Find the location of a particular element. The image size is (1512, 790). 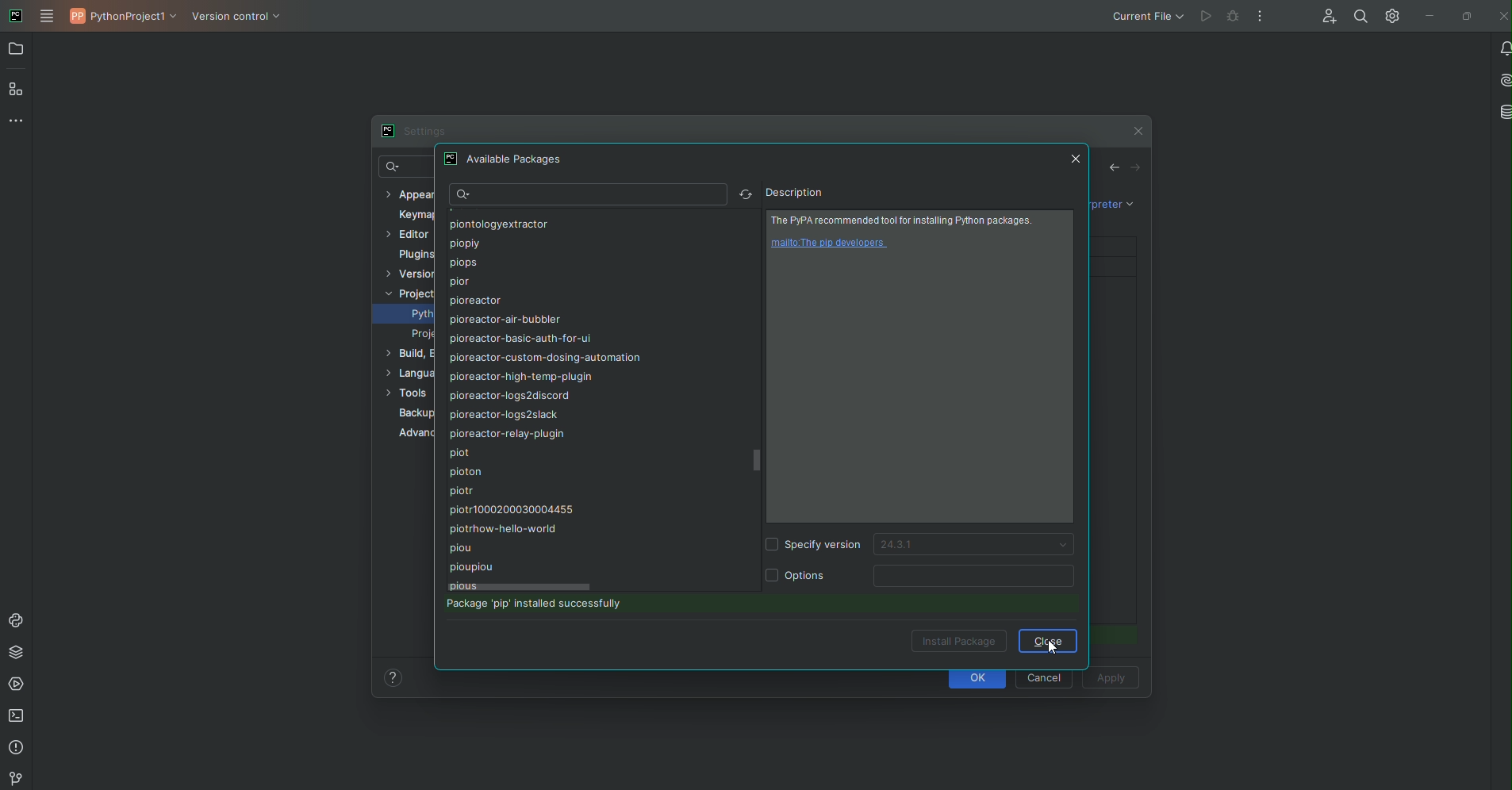

Settings is located at coordinates (412, 131).